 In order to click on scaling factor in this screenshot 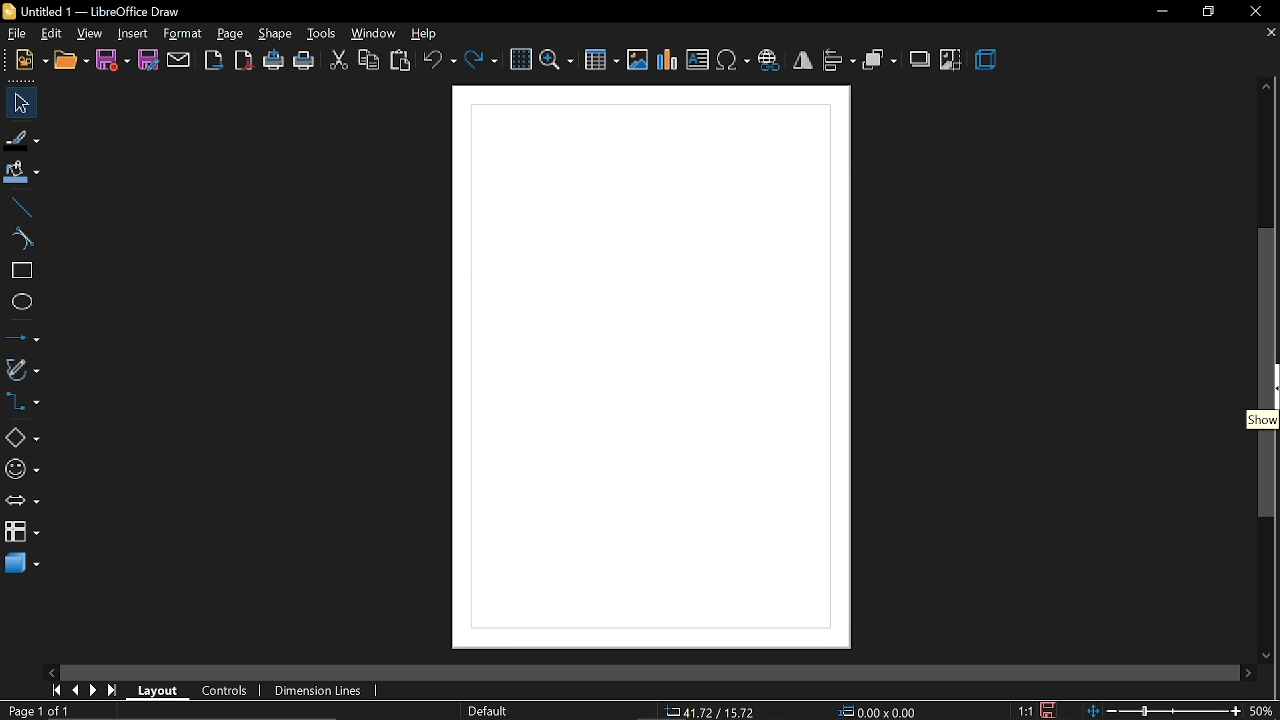, I will do `click(1025, 710)`.